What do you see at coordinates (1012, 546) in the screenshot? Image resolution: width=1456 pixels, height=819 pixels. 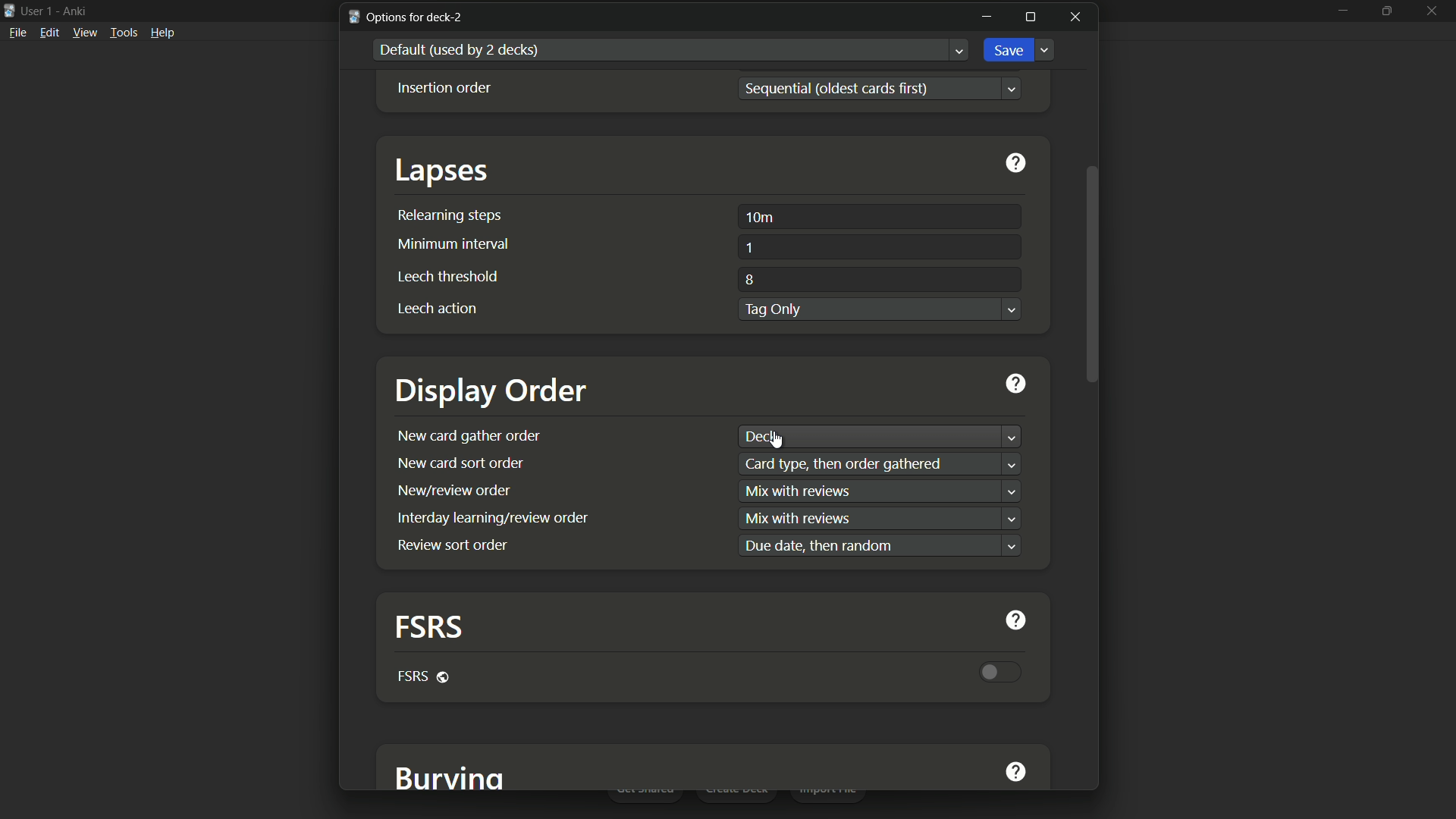 I see `dropdown` at bounding box center [1012, 546].